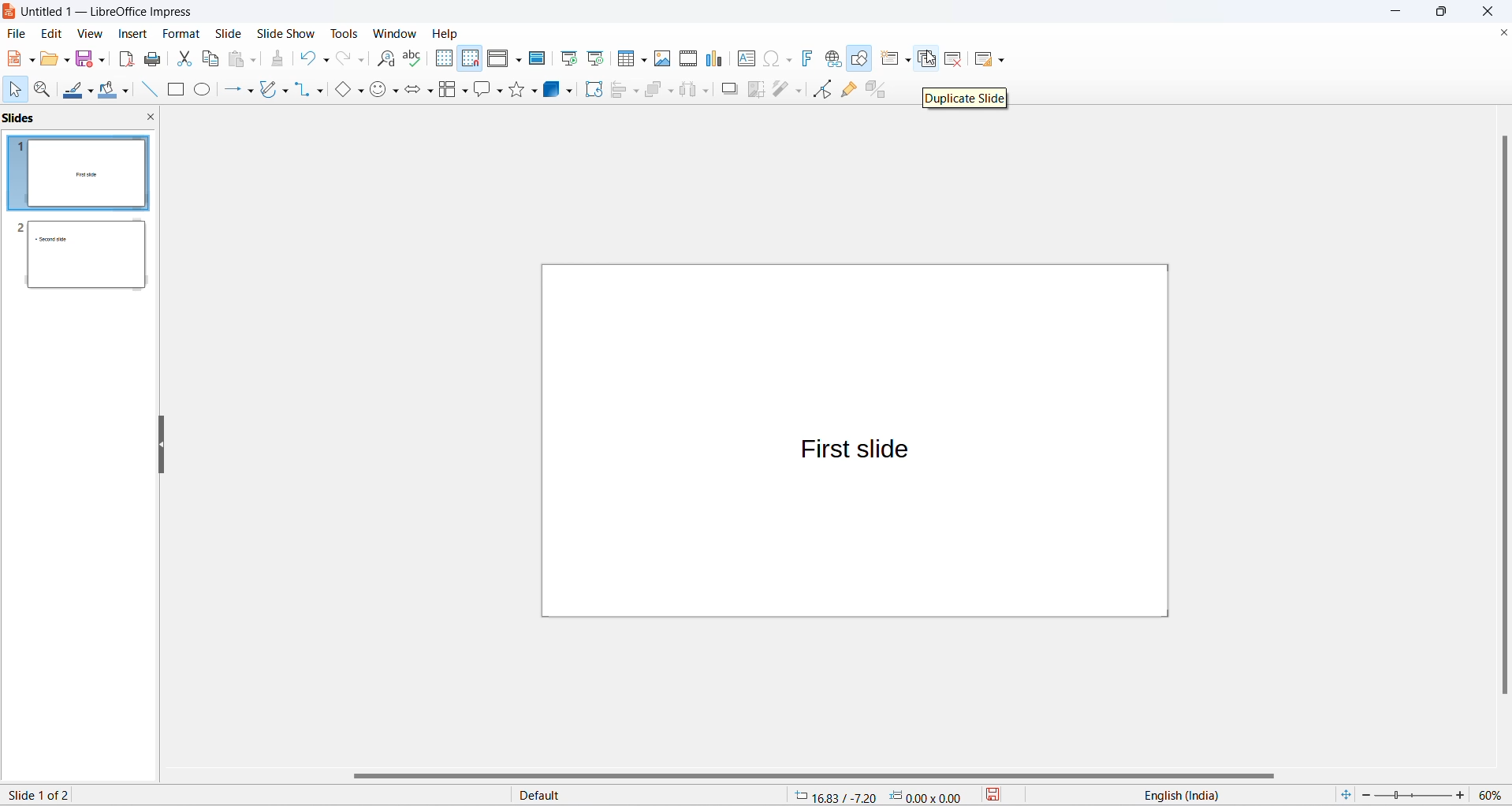 The image size is (1512, 806). I want to click on windows, so click(401, 32).